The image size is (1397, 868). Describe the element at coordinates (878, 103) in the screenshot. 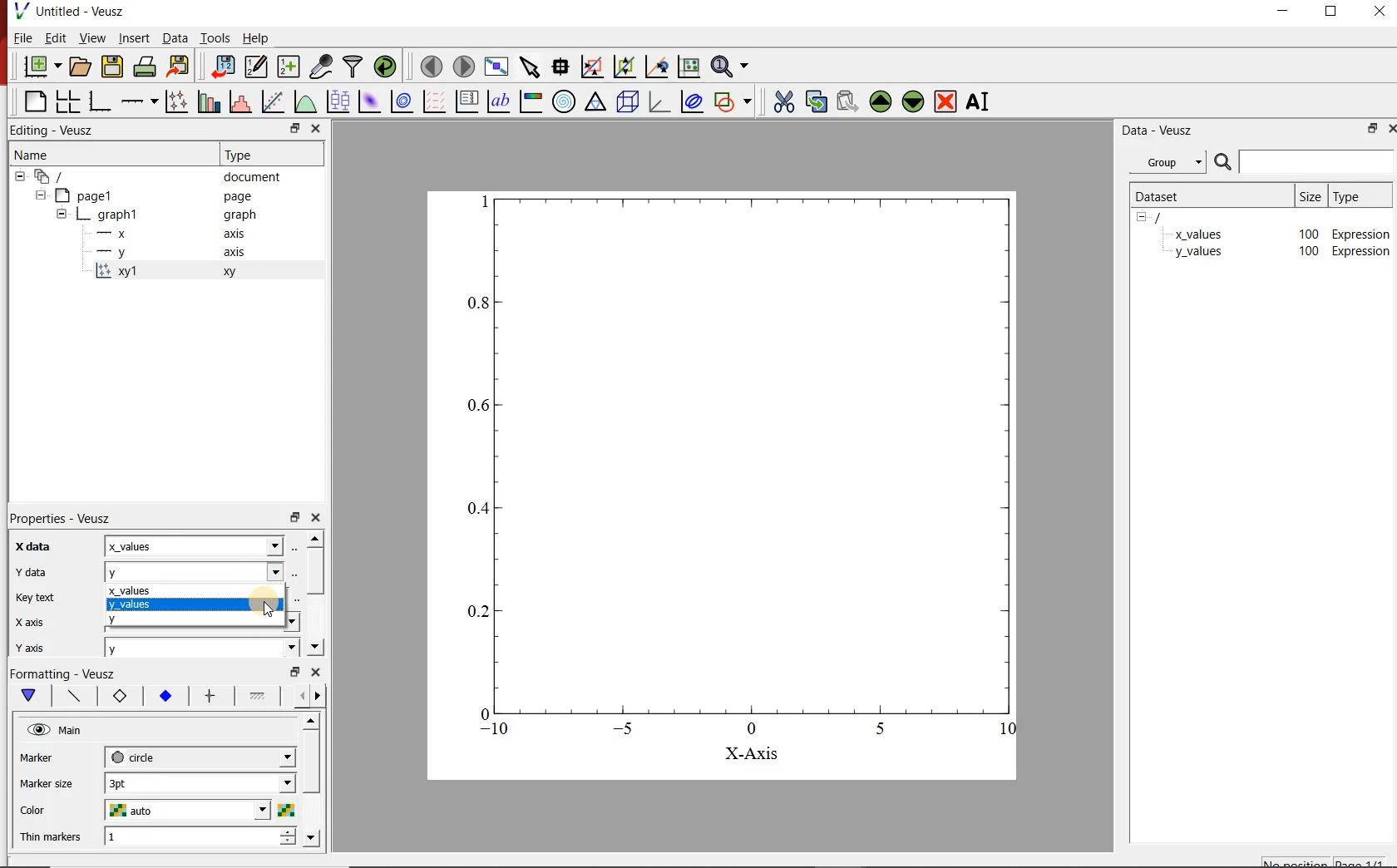

I see `move up the the selected widget` at that location.